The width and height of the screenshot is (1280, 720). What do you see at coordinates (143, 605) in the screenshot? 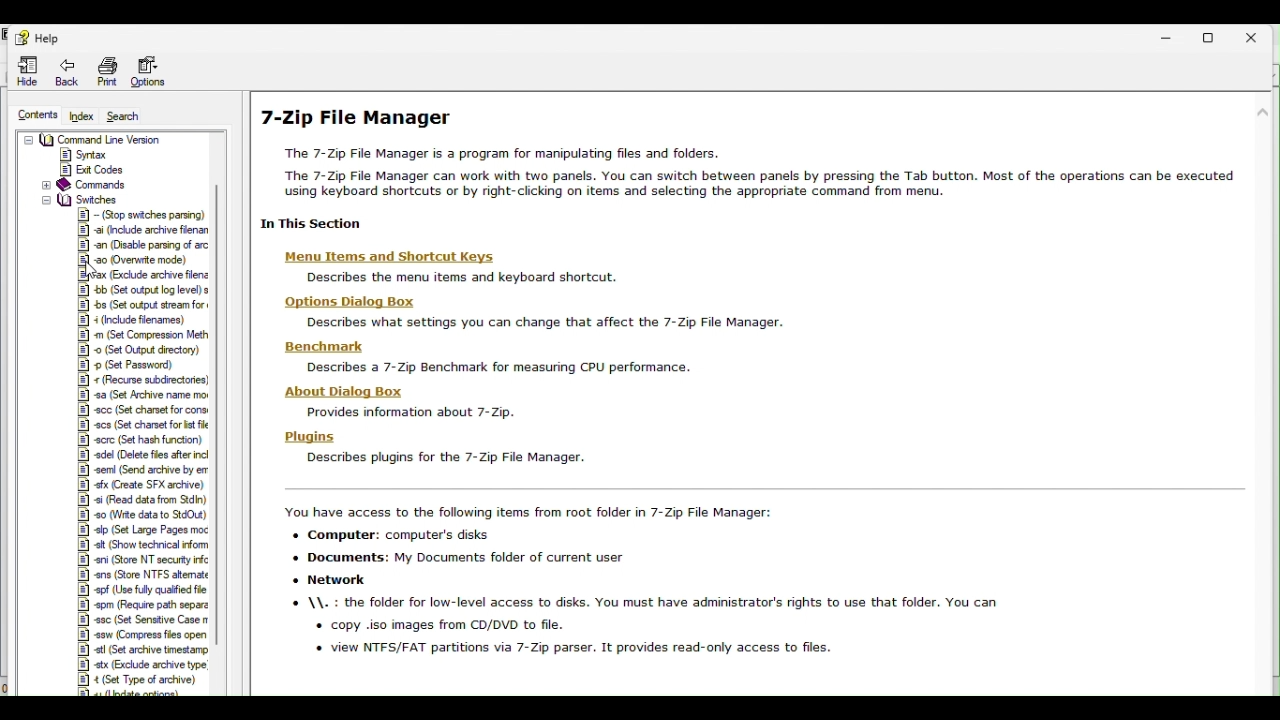
I see `|®] epm (Require path separa` at bounding box center [143, 605].